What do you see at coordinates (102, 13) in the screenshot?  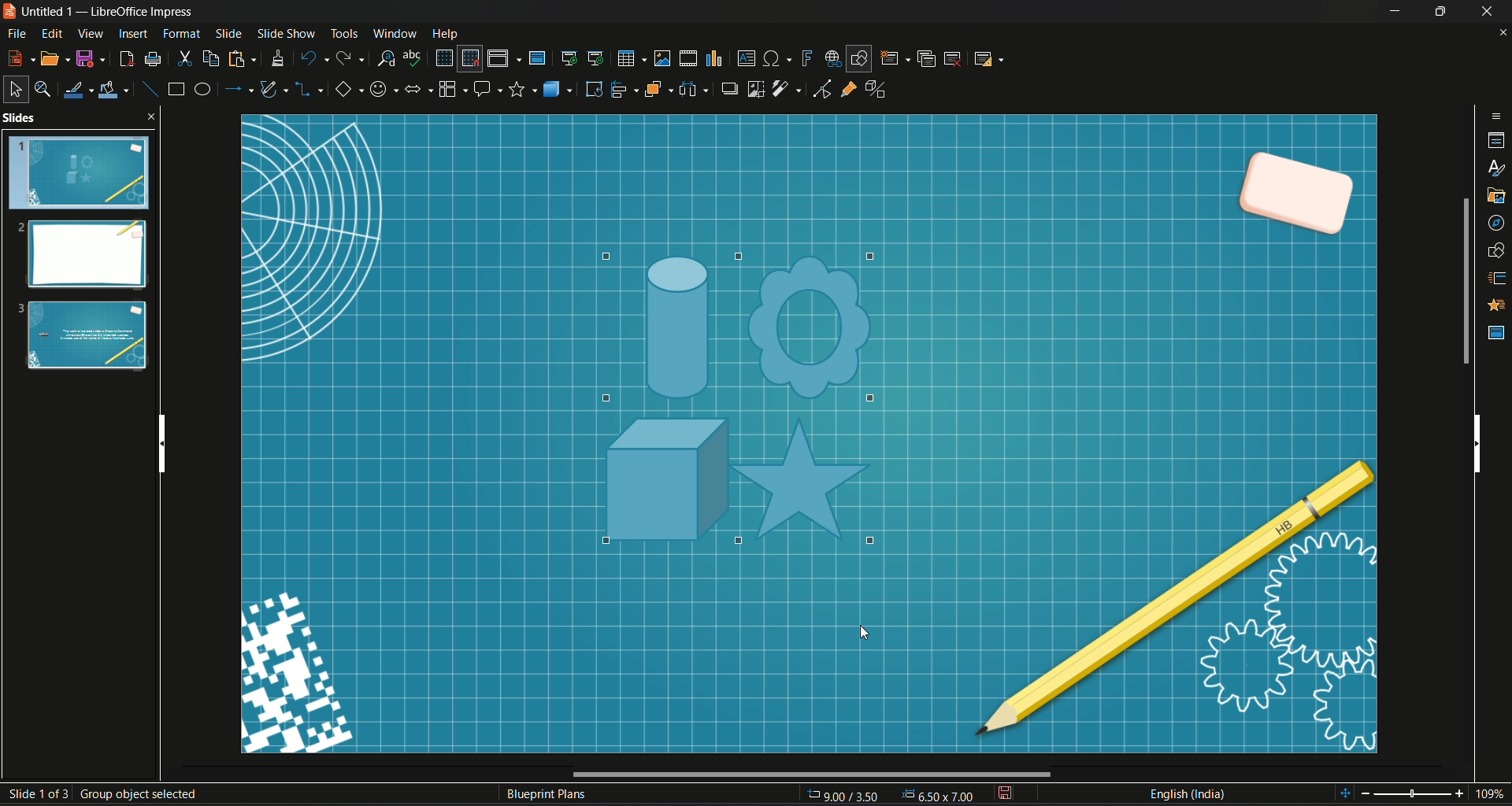 I see `Logo and name` at bounding box center [102, 13].